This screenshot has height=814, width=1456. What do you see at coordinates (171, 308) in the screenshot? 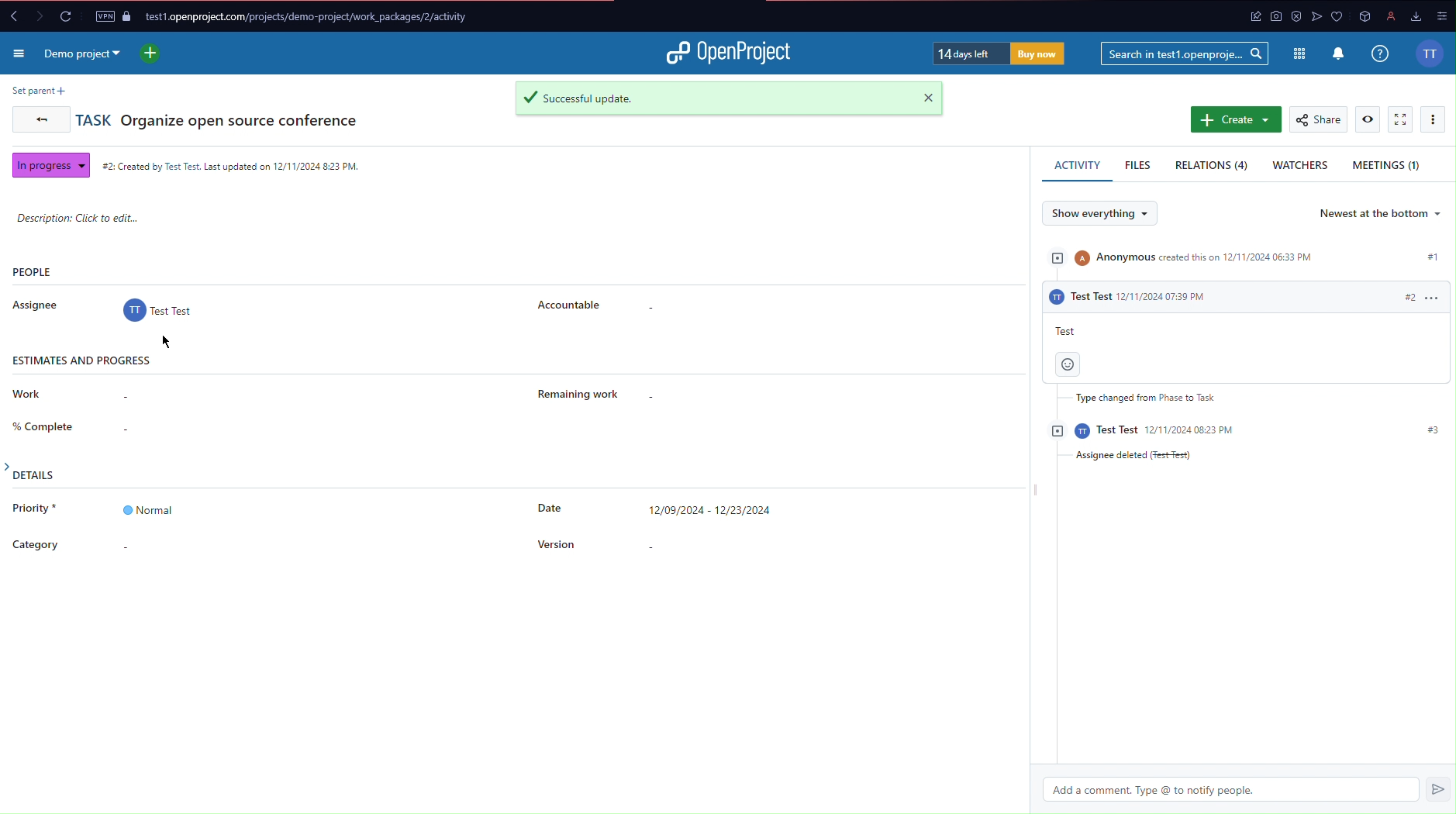
I see `` at bounding box center [171, 308].